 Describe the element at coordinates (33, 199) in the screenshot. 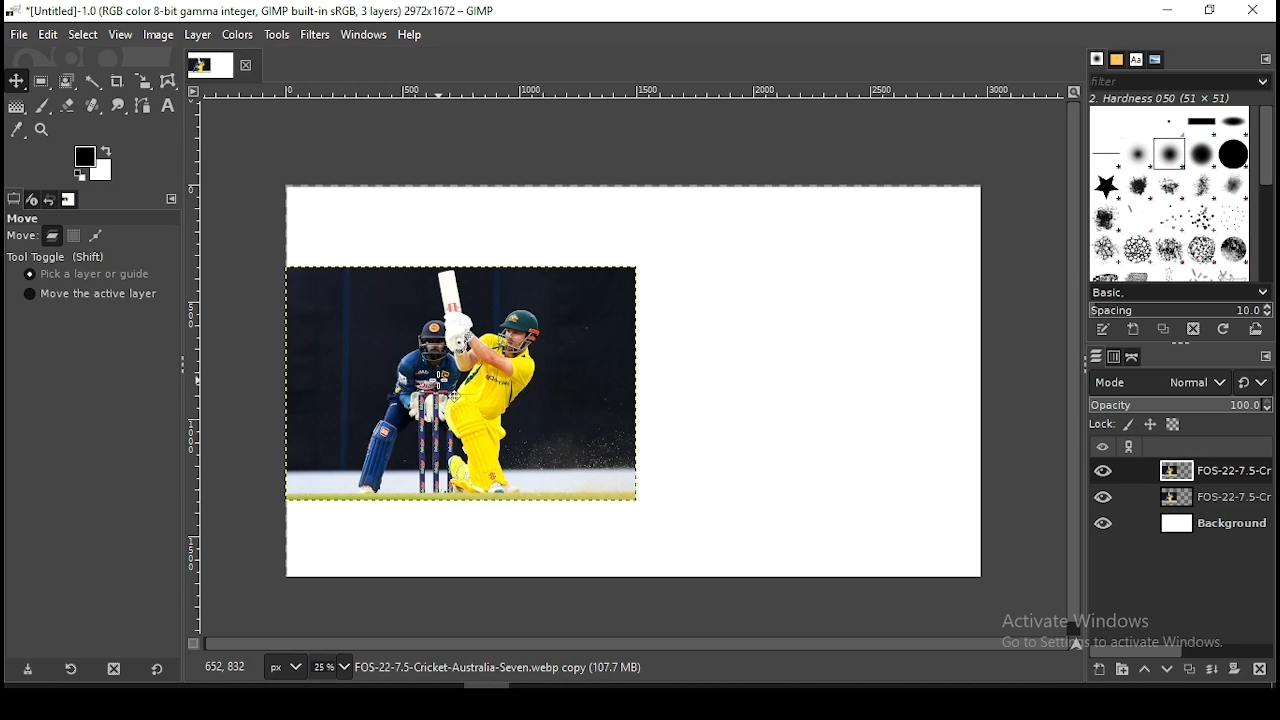

I see `device status` at that location.